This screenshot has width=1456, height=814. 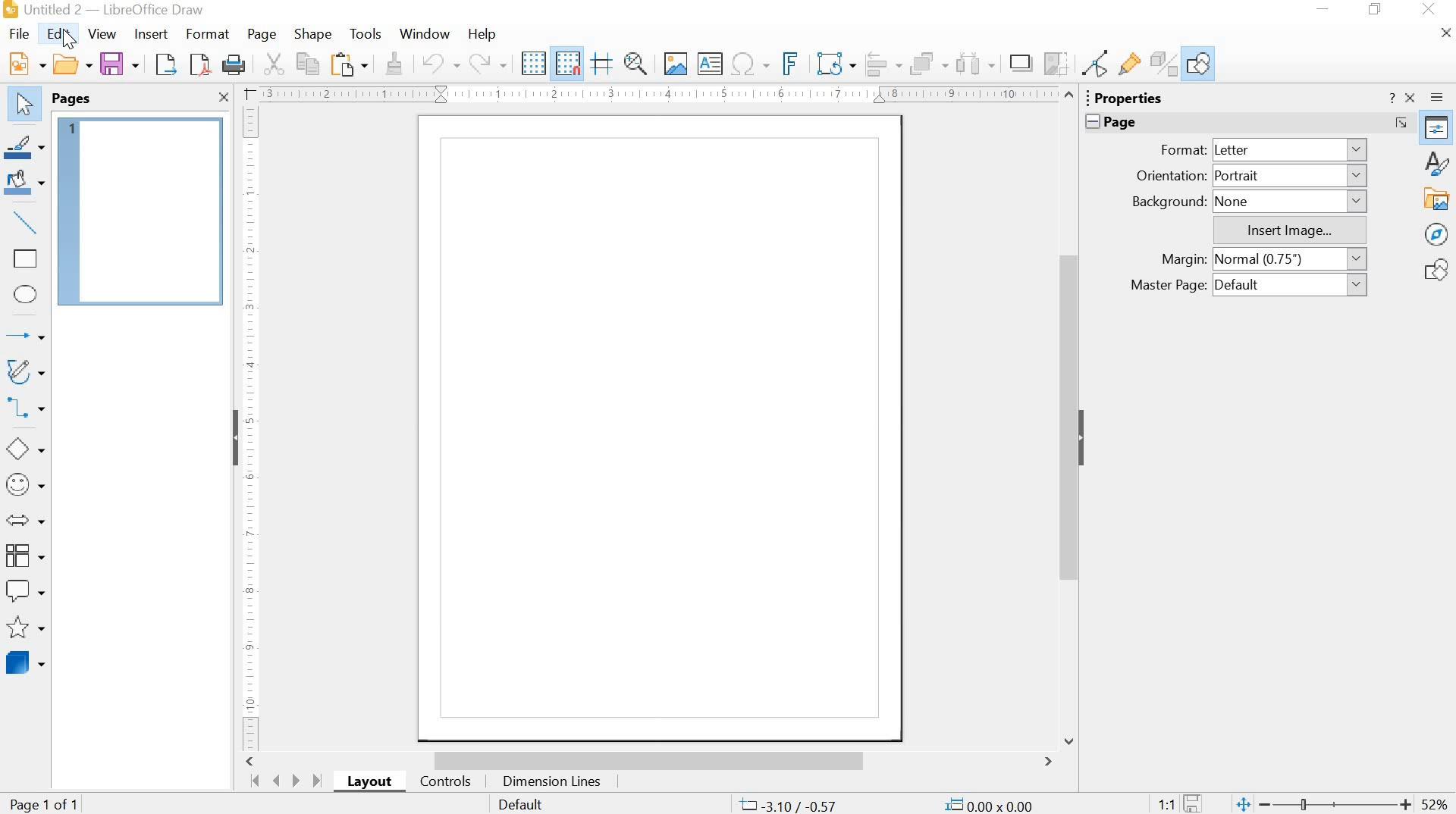 What do you see at coordinates (1290, 151) in the screenshot?
I see `Letter` at bounding box center [1290, 151].